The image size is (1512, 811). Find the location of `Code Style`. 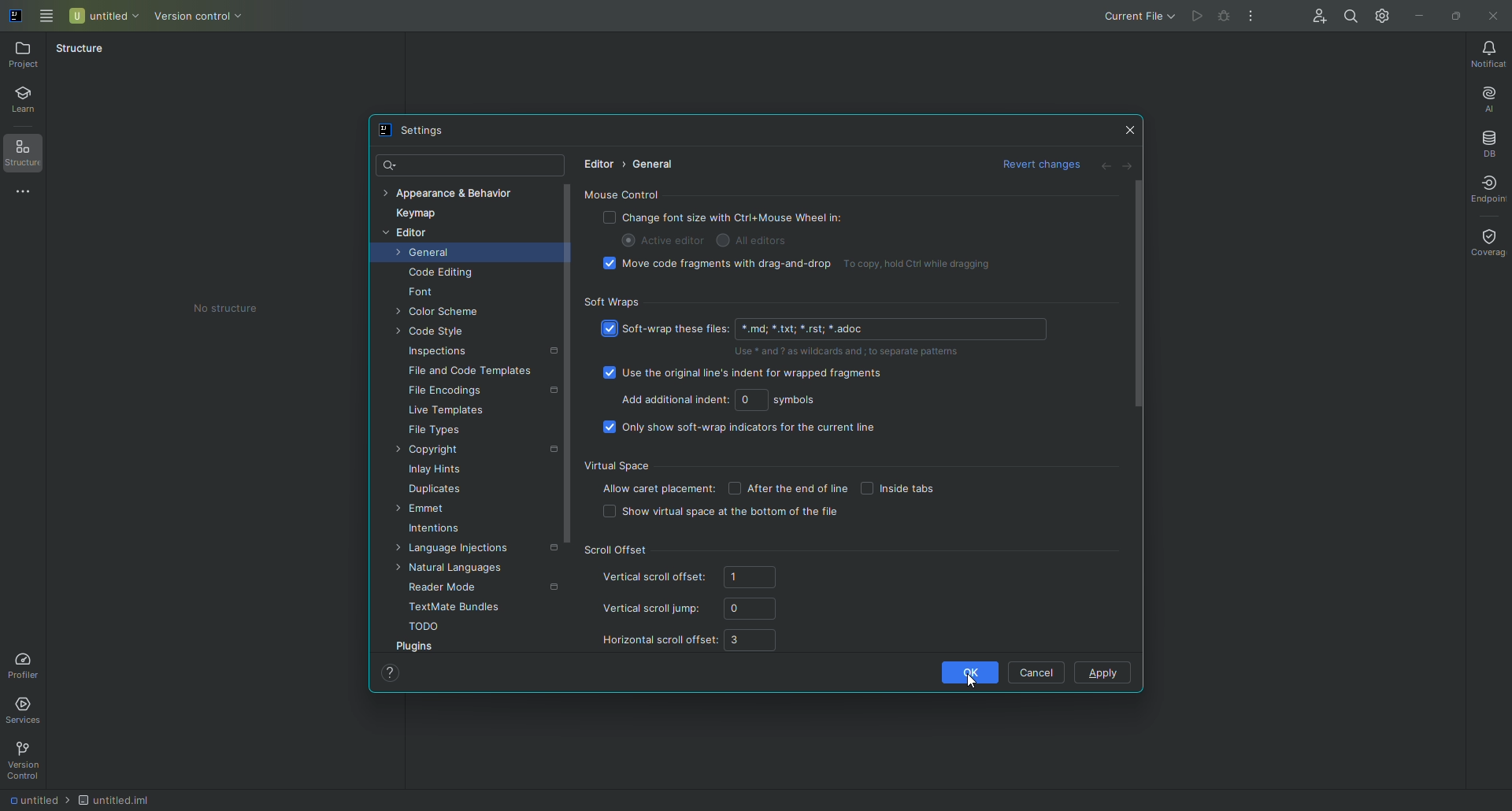

Code Style is located at coordinates (432, 334).